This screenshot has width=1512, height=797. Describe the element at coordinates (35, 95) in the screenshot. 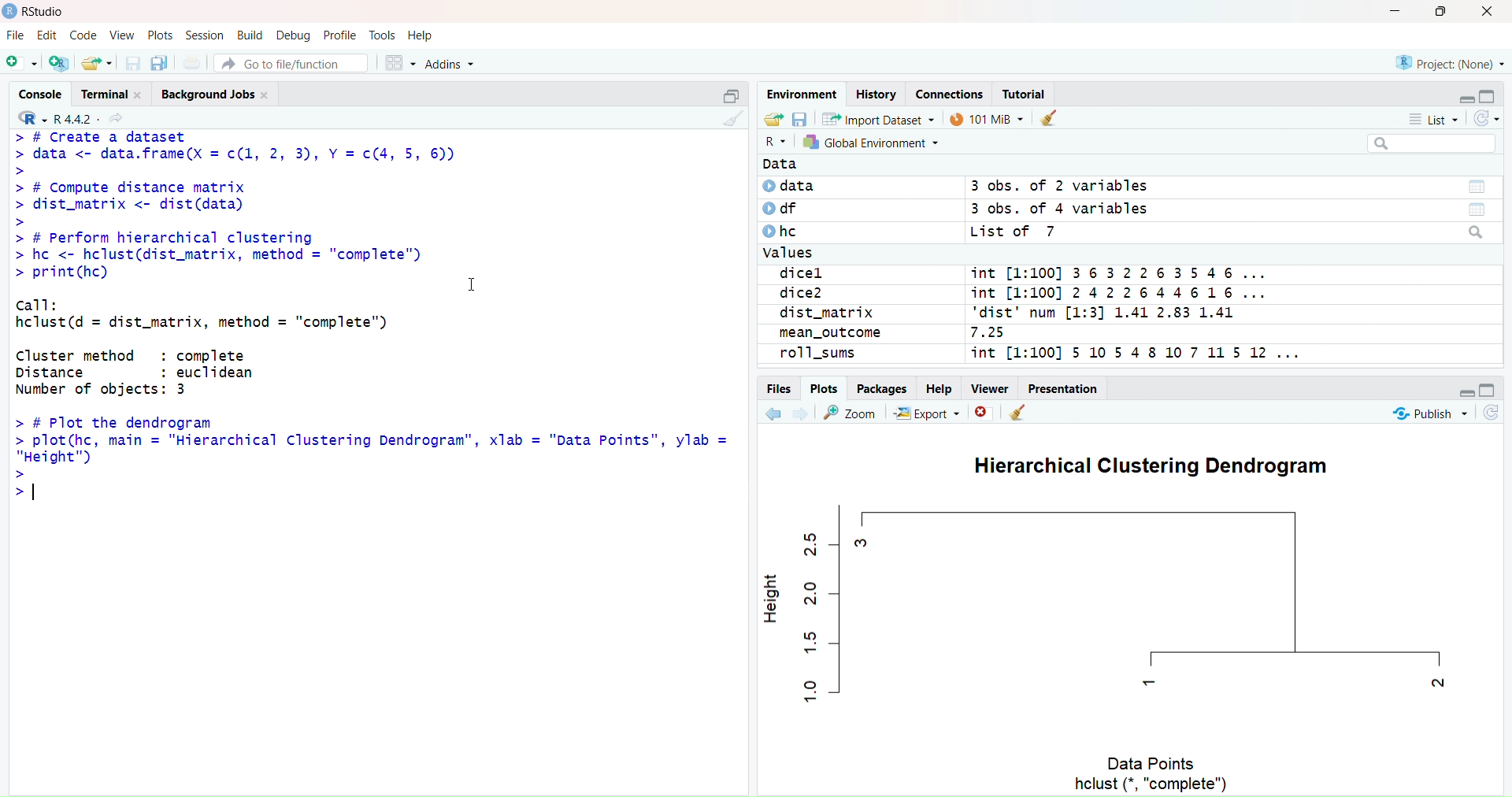

I see `Console` at that location.